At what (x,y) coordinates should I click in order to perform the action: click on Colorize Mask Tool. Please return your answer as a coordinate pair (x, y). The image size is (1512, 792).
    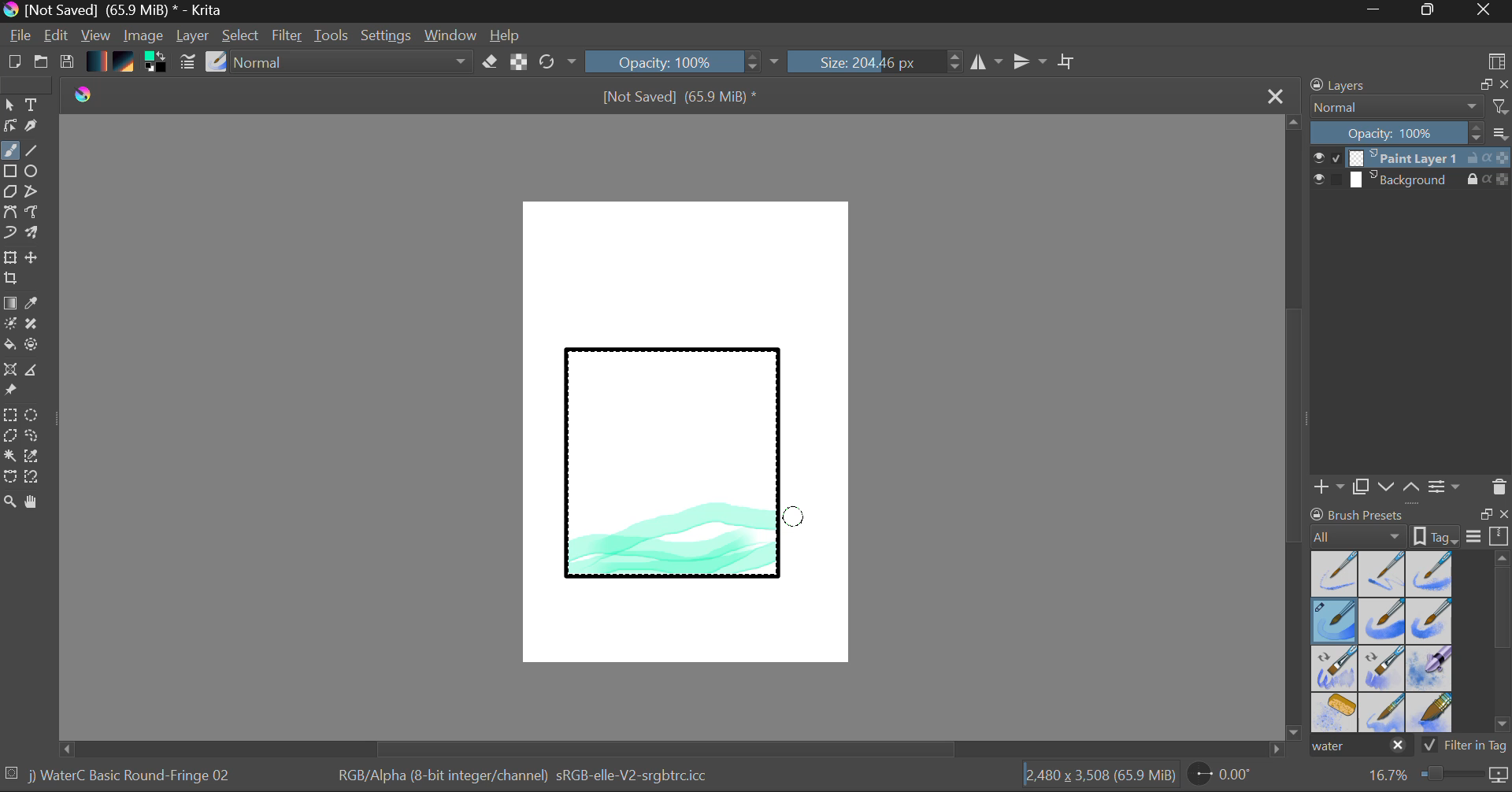
    Looking at the image, I should click on (11, 325).